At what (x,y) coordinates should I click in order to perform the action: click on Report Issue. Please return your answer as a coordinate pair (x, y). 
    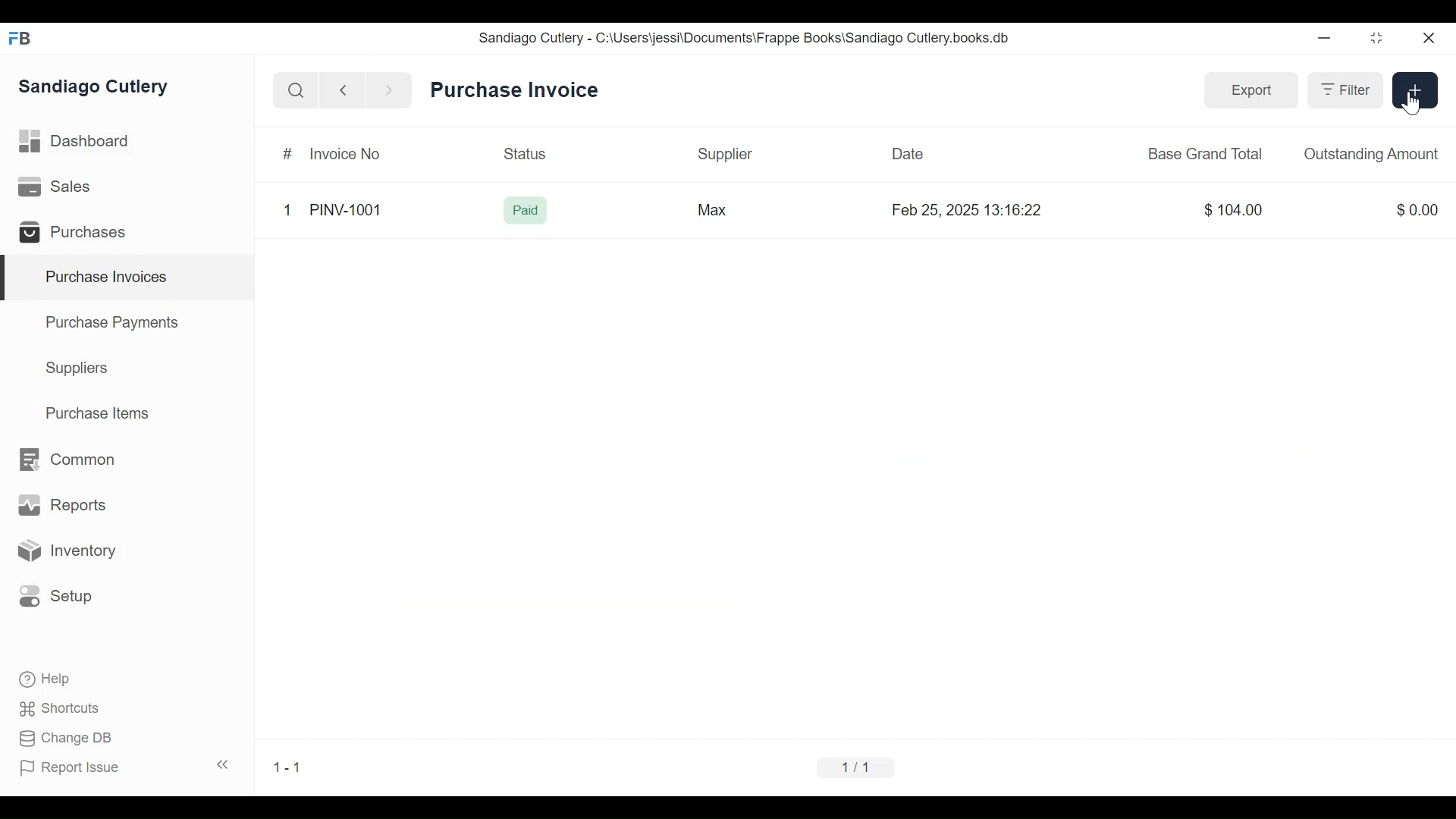
    Looking at the image, I should click on (124, 767).